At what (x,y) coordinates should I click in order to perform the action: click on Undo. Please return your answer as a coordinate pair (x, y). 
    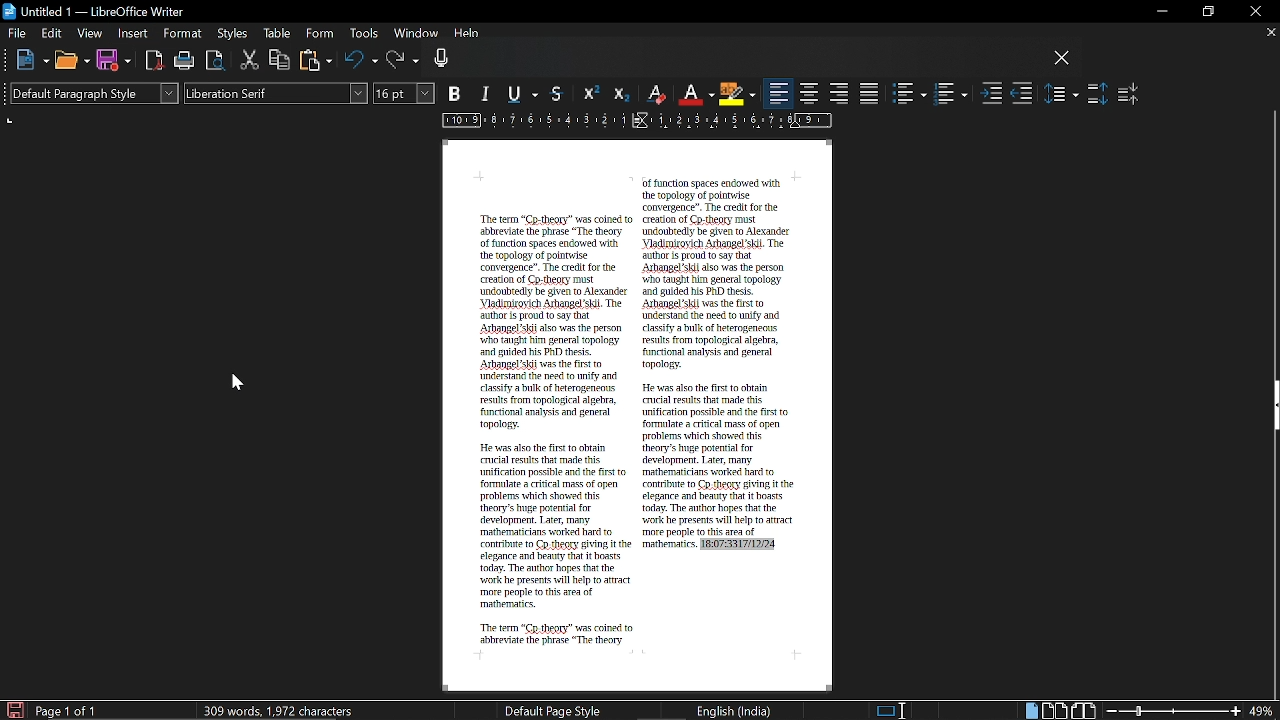
    Looking at the image, I should click on (361, 61).